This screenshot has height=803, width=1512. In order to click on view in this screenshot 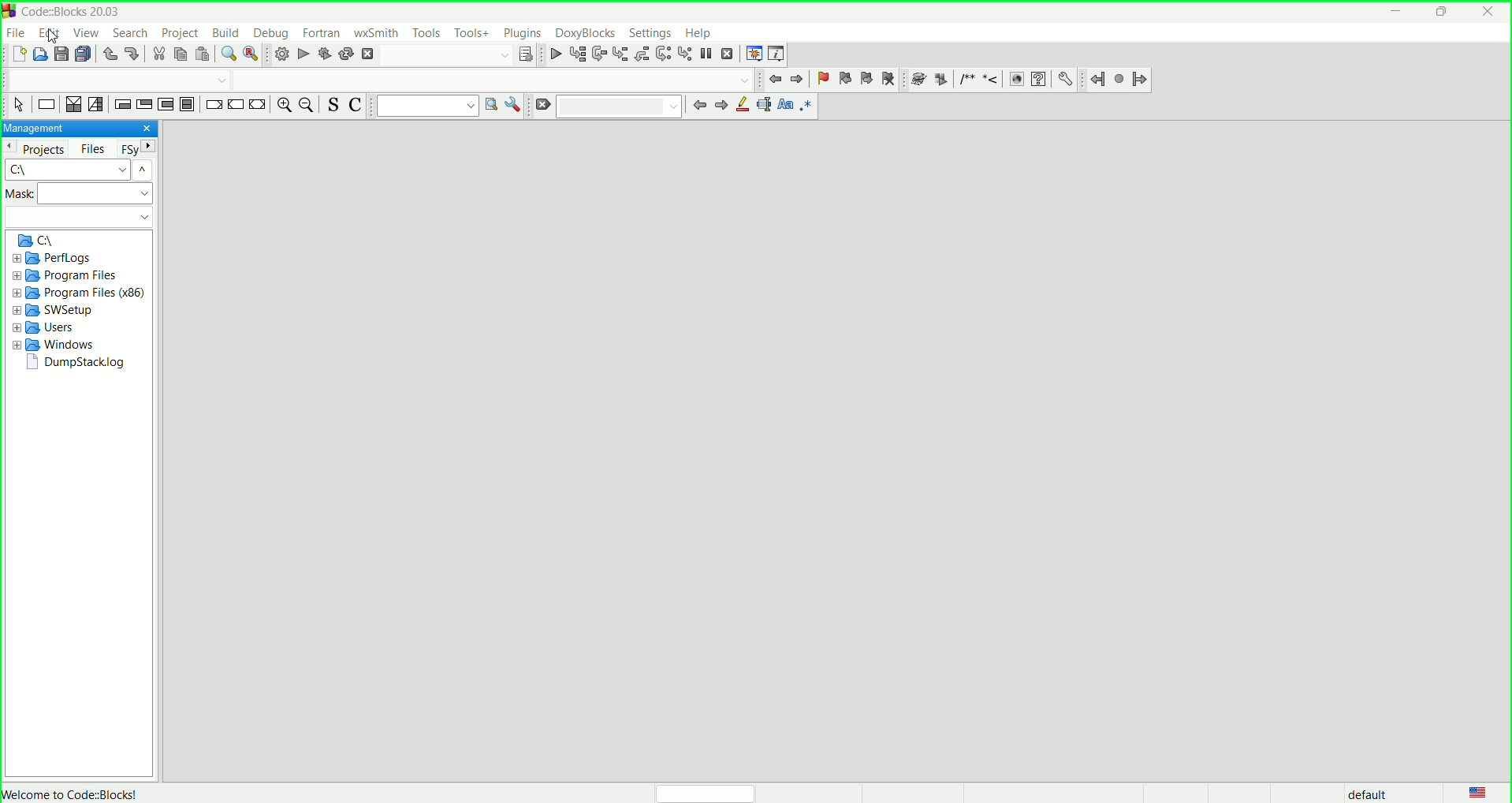, I will do `click(84, 33)`.